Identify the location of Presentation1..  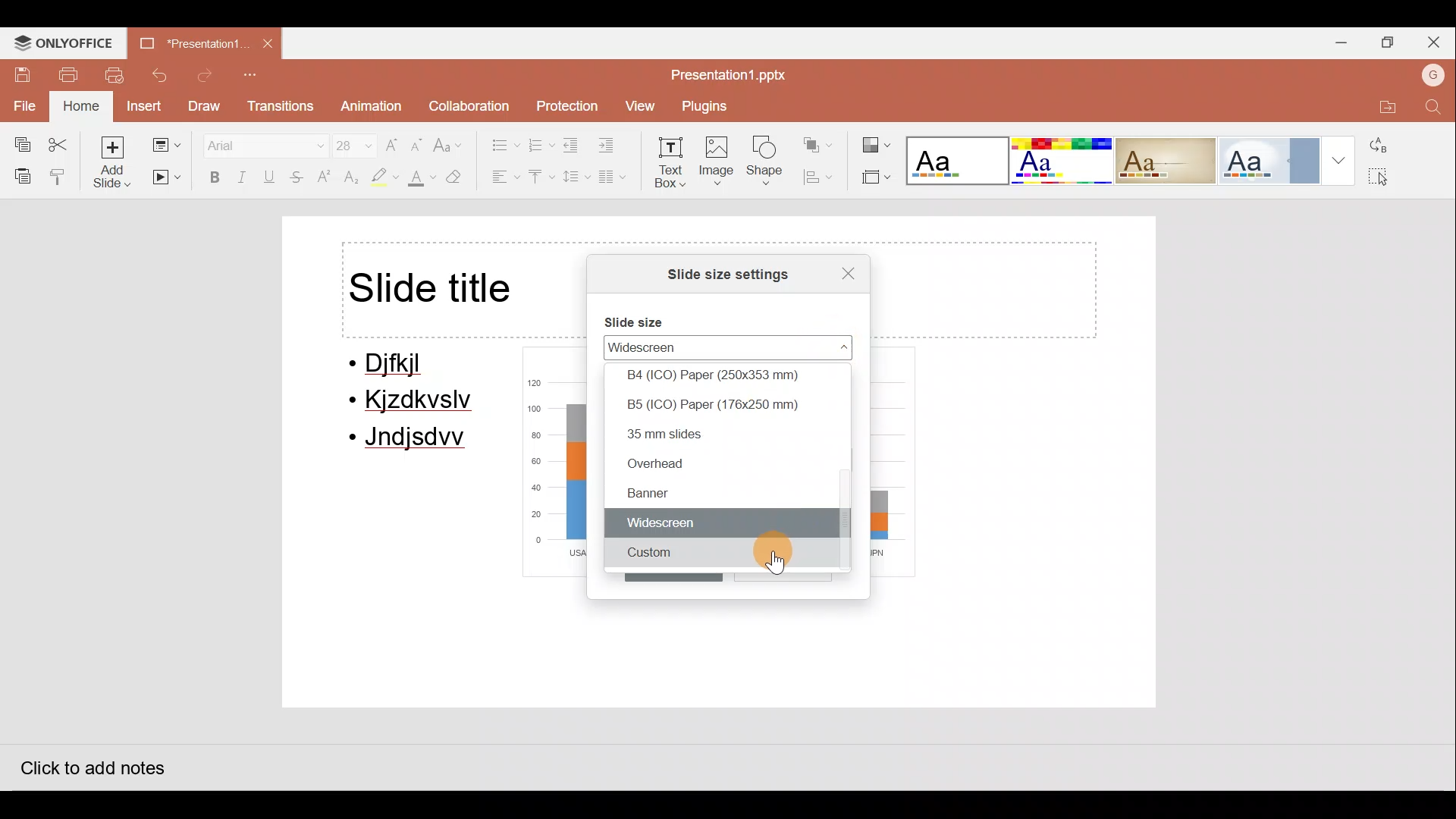
(189, 42).